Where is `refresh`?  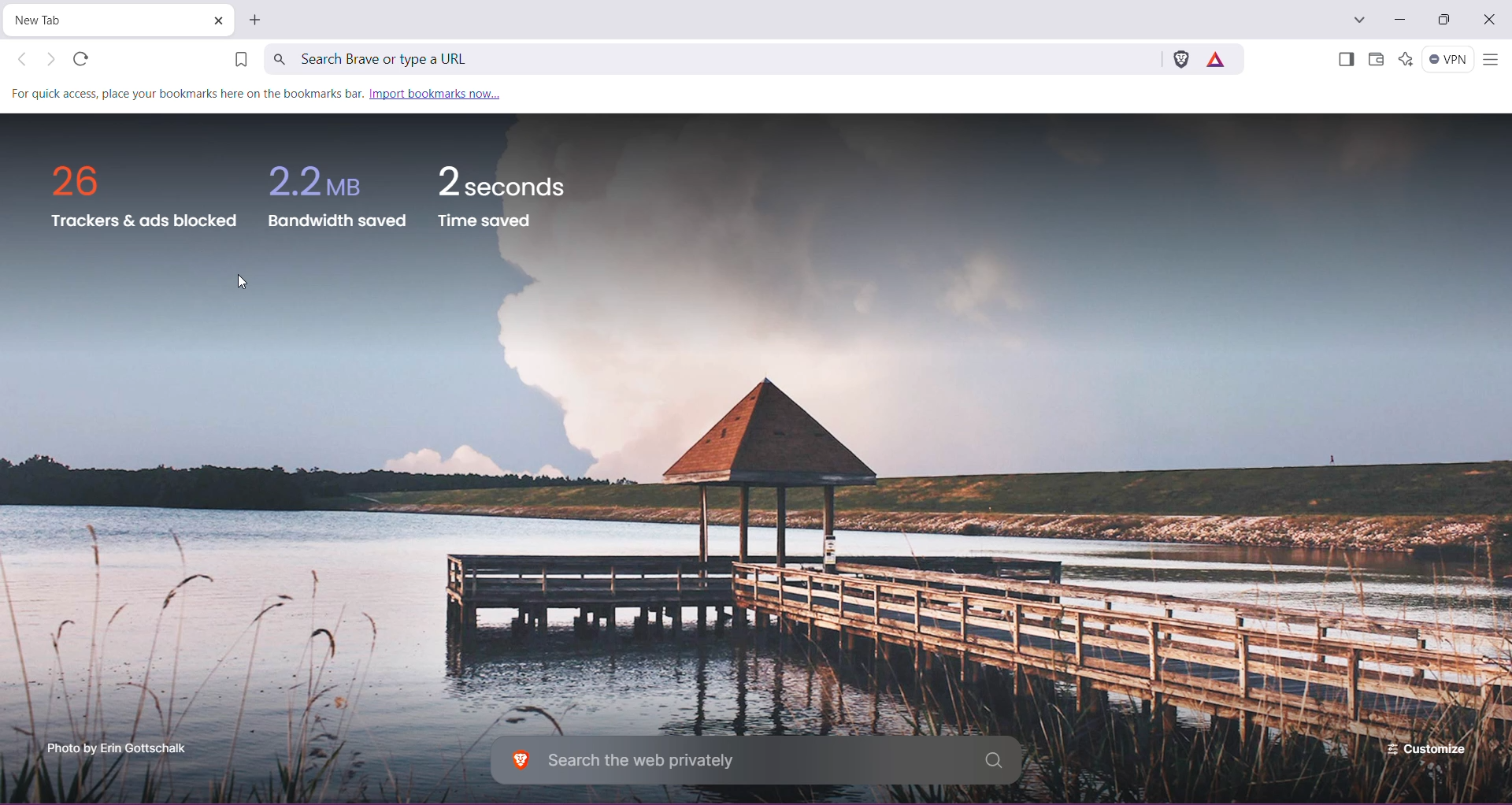 refresh is located at coordinates (87, 61).